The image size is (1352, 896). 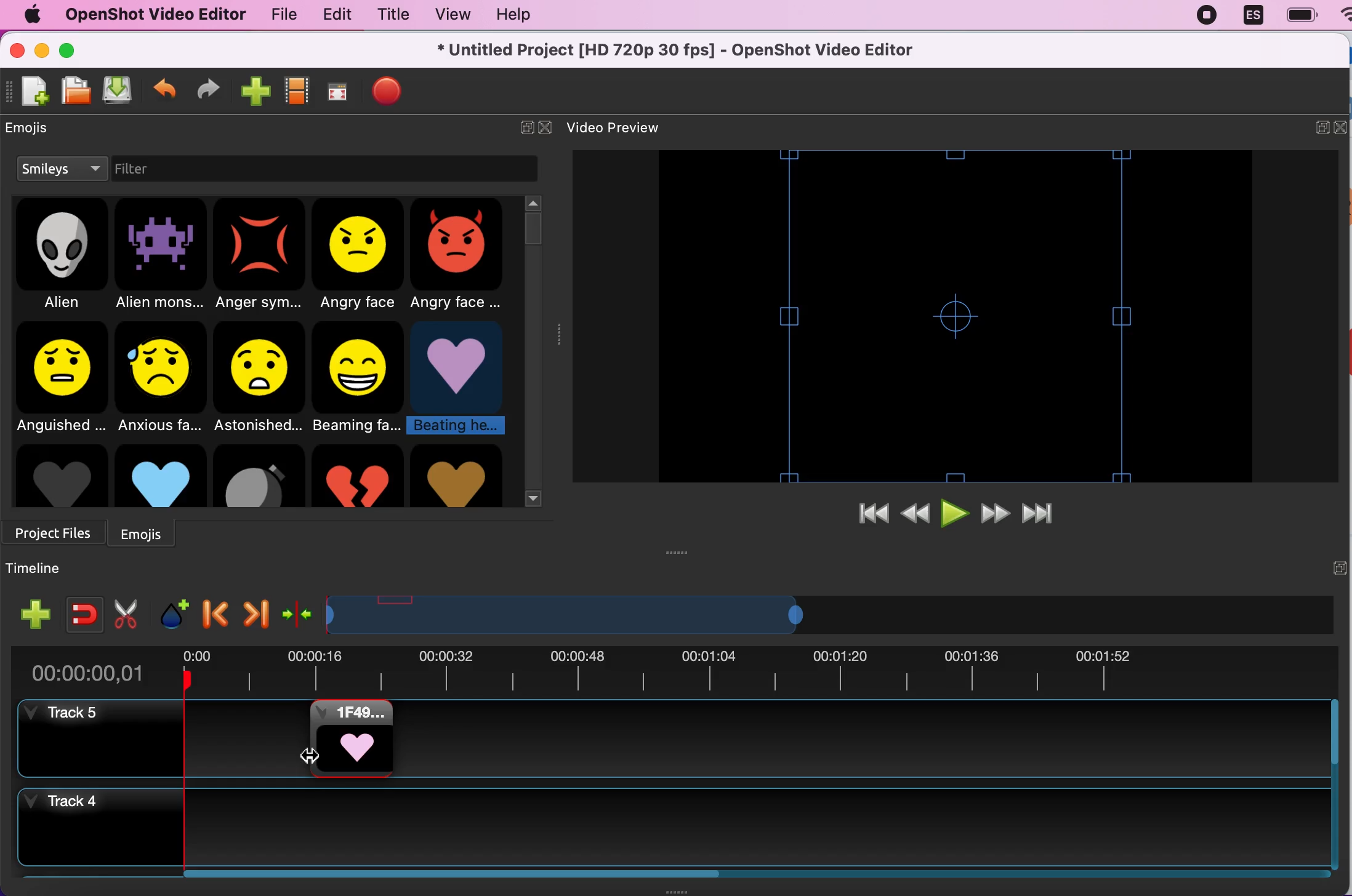 I want to click on angry face 2, so click(x=461, y=257).